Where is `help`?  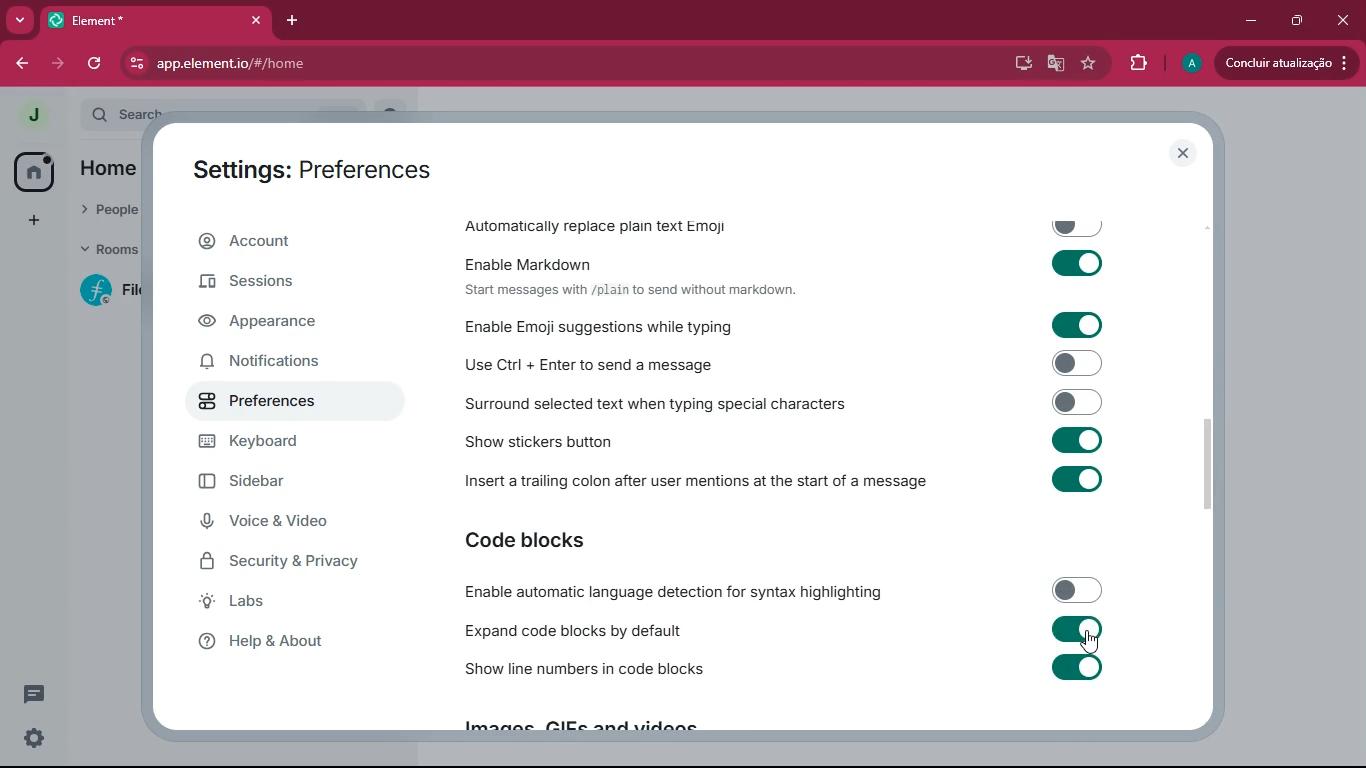
help is located at coordinates (289, 647).